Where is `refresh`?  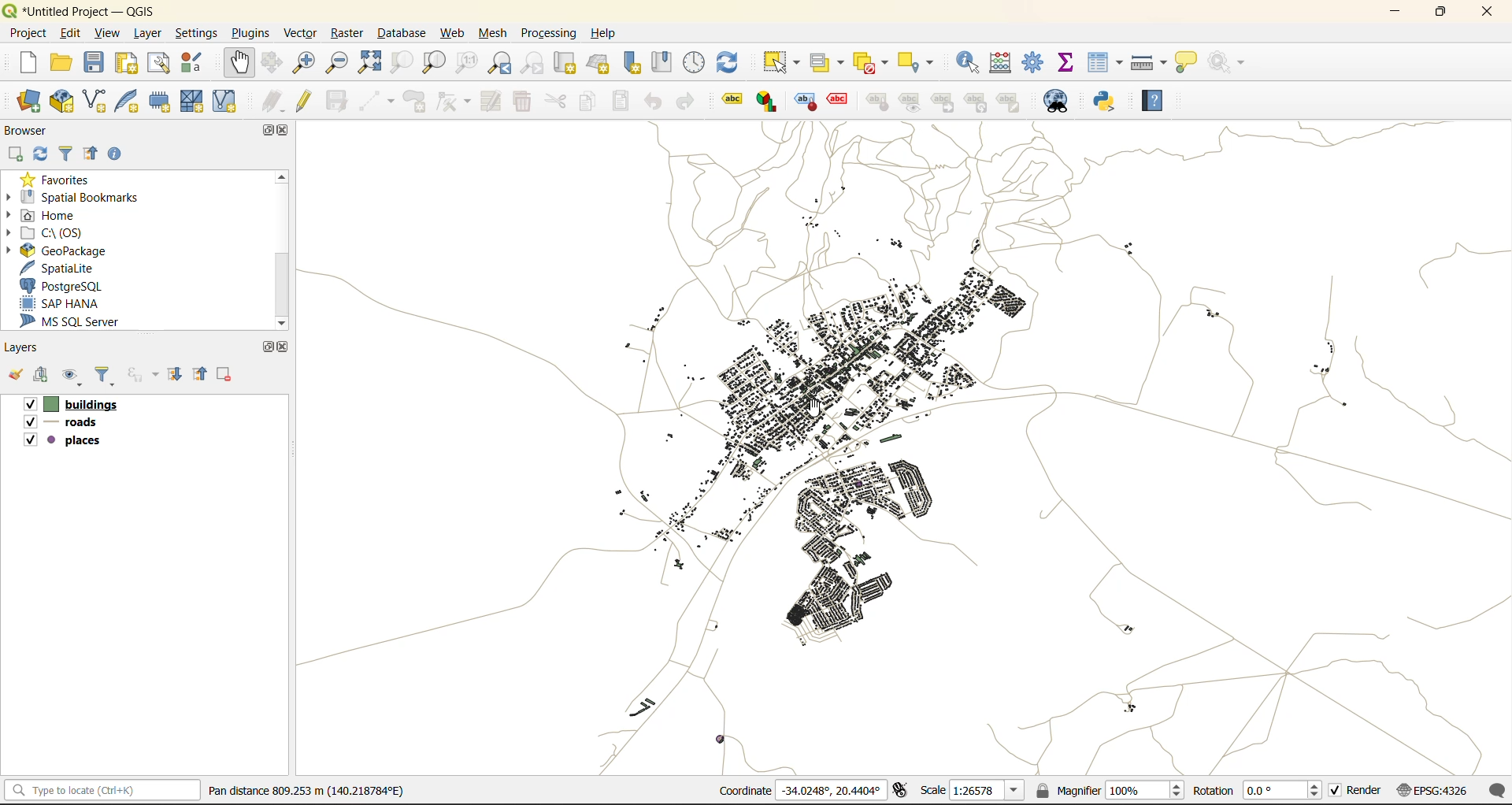
refresh is located at coordinates (728, 60).